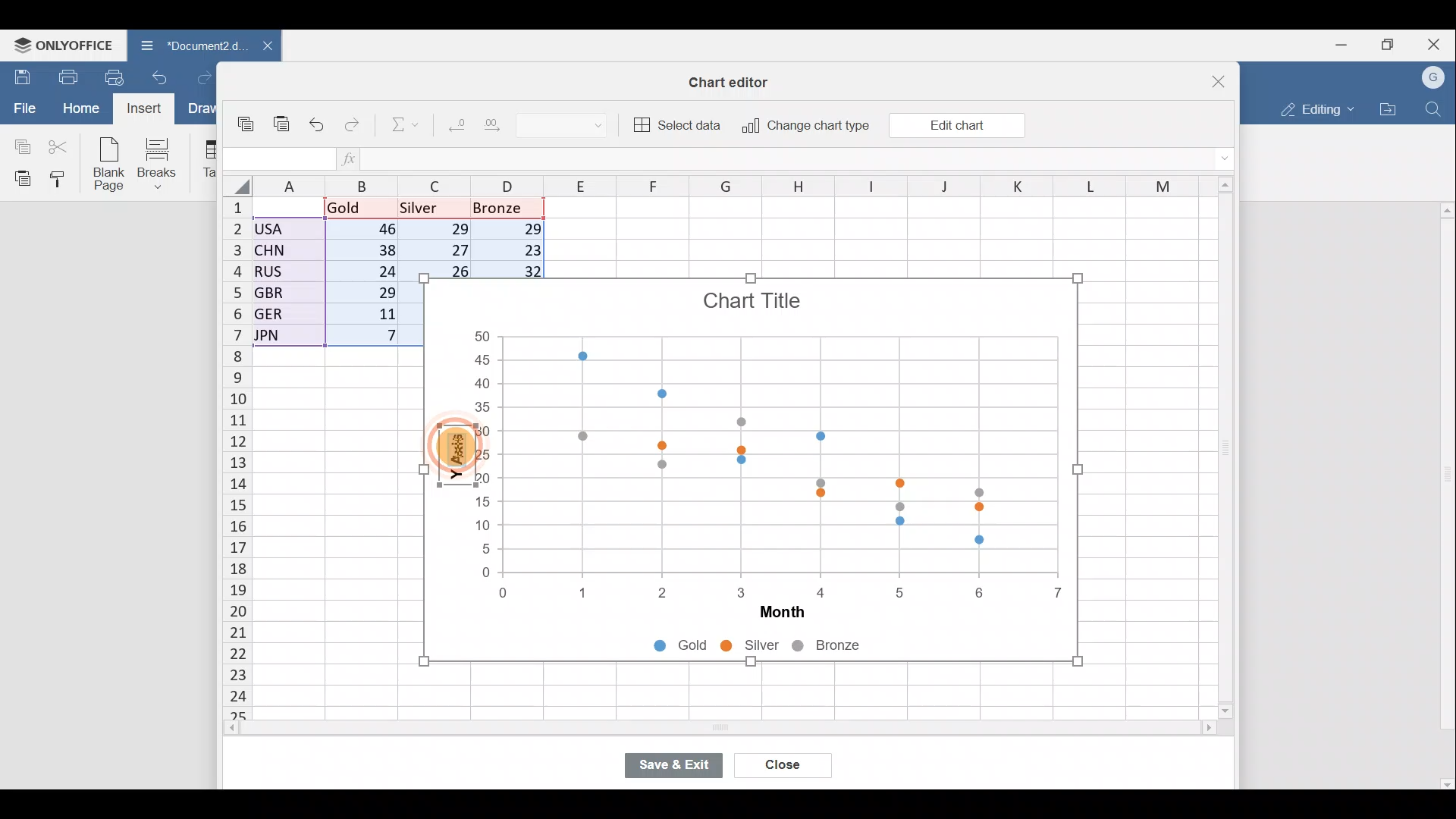  I want to click on Close, so click(1209, 76).